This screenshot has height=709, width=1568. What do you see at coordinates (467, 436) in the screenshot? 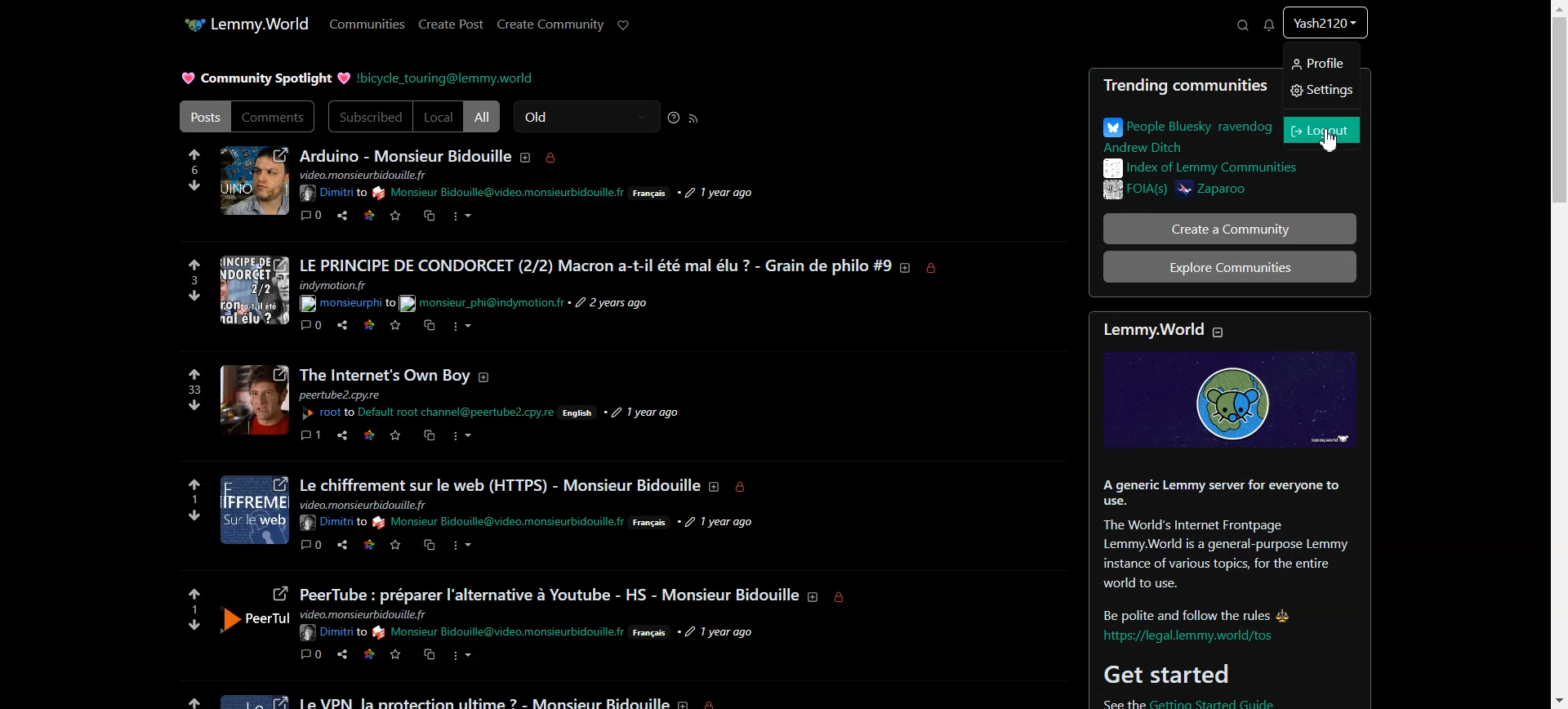
I see `more` at bounding box center [467, 436].